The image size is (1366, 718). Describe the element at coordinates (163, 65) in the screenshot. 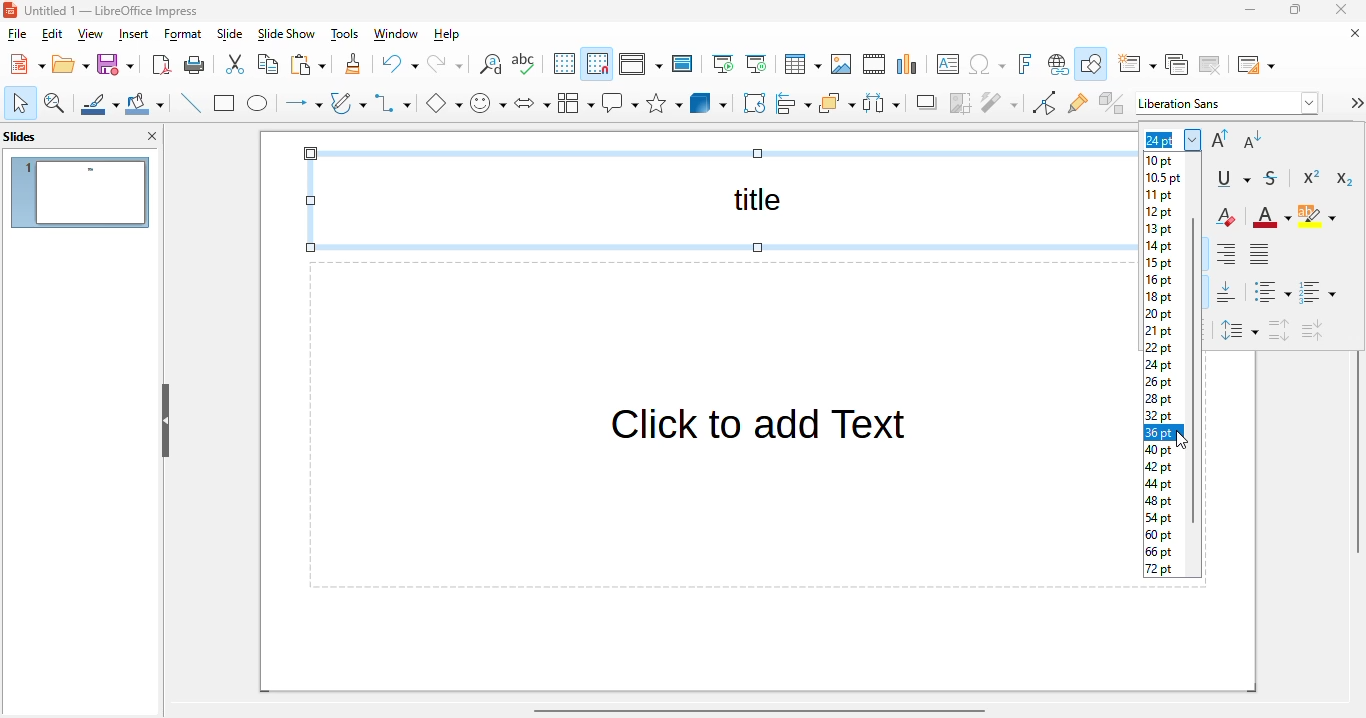

I see `export directly as PDF` at that location.